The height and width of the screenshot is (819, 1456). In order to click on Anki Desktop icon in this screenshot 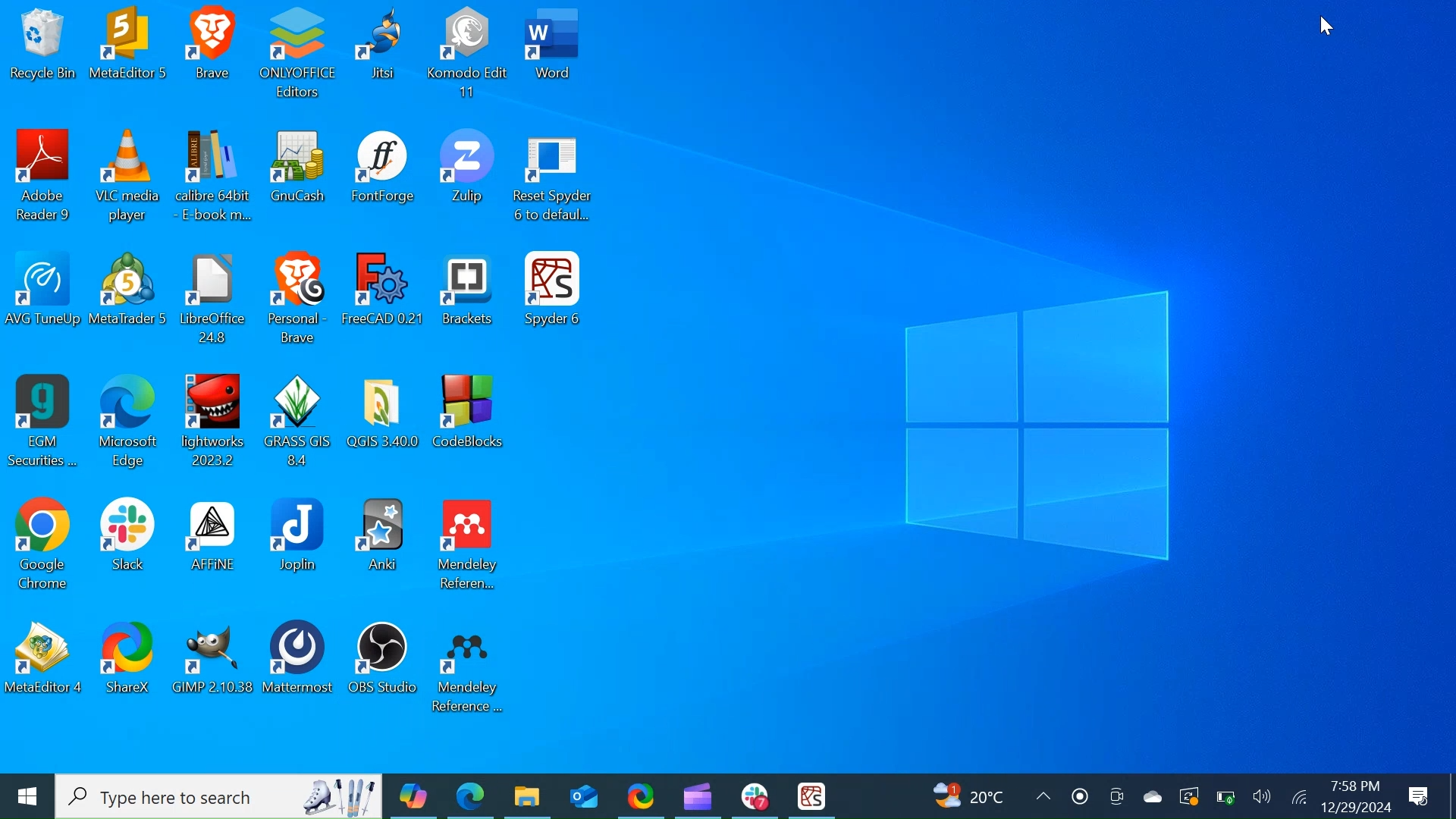, I will do `click(384, 547)`.